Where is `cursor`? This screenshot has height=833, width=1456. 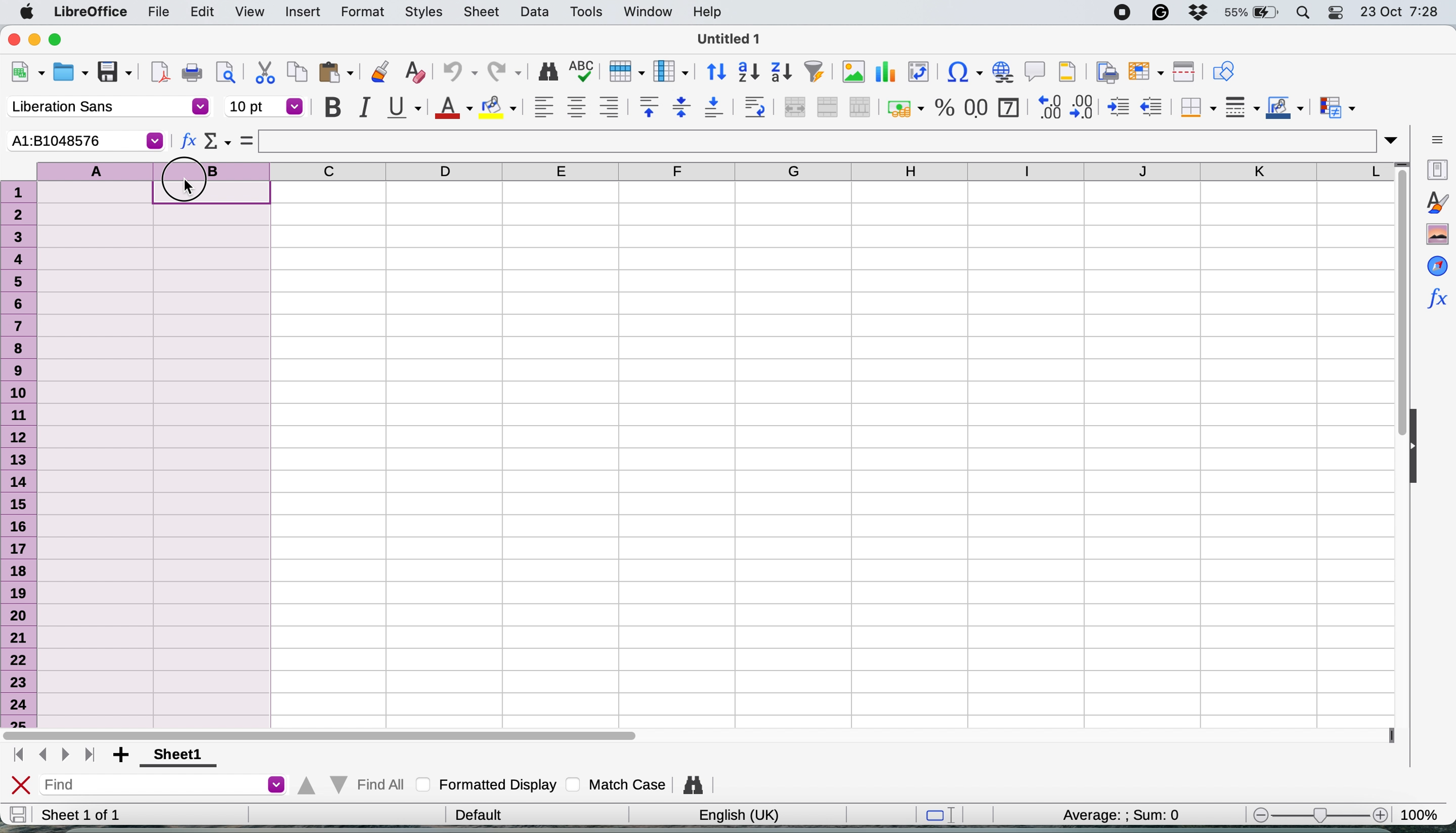 cursor is located at coordinates (193, 190).